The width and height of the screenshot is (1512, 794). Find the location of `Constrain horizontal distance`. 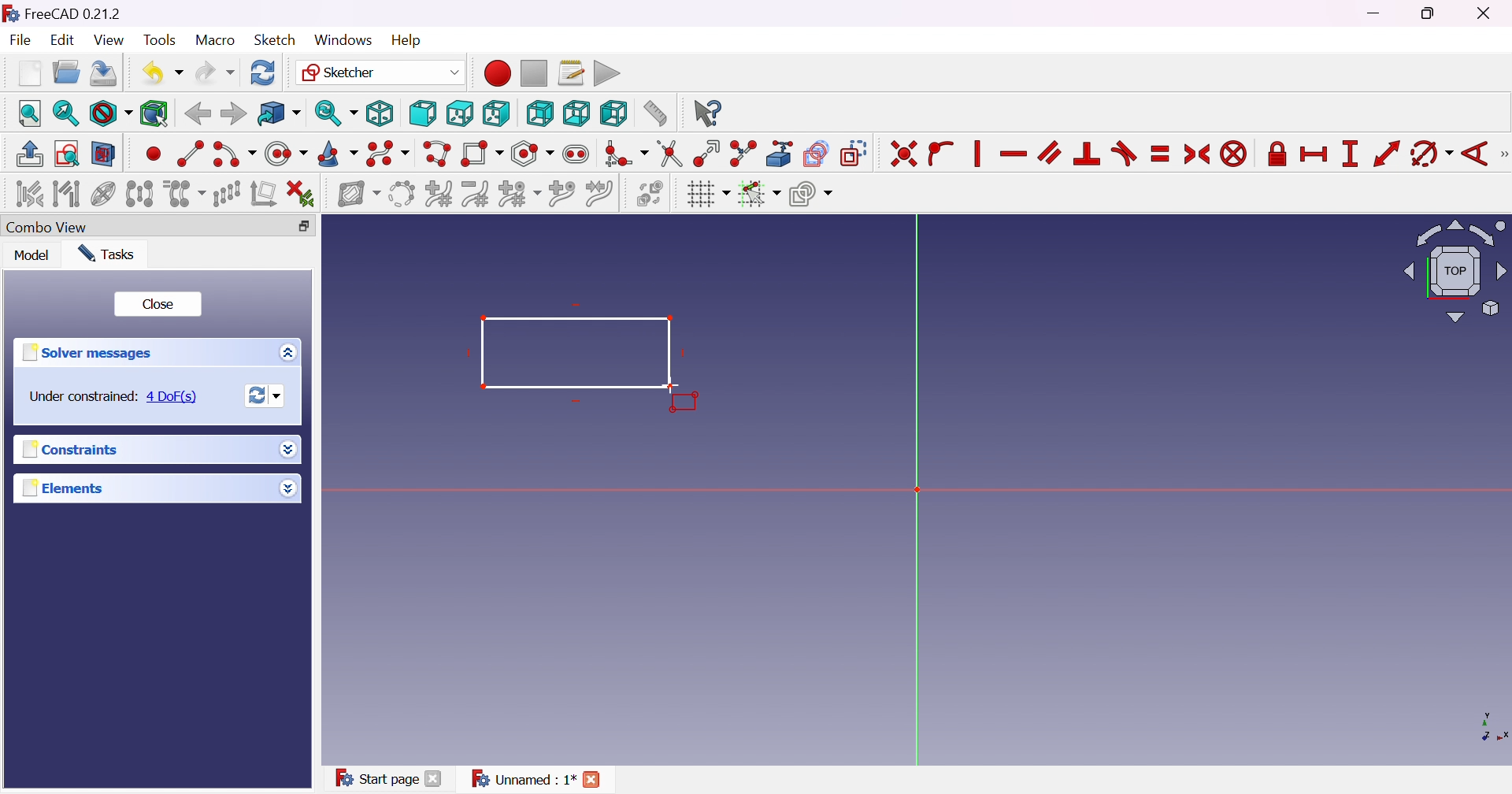

Constrain horizontal distance is located at coordinates (1313, 156).